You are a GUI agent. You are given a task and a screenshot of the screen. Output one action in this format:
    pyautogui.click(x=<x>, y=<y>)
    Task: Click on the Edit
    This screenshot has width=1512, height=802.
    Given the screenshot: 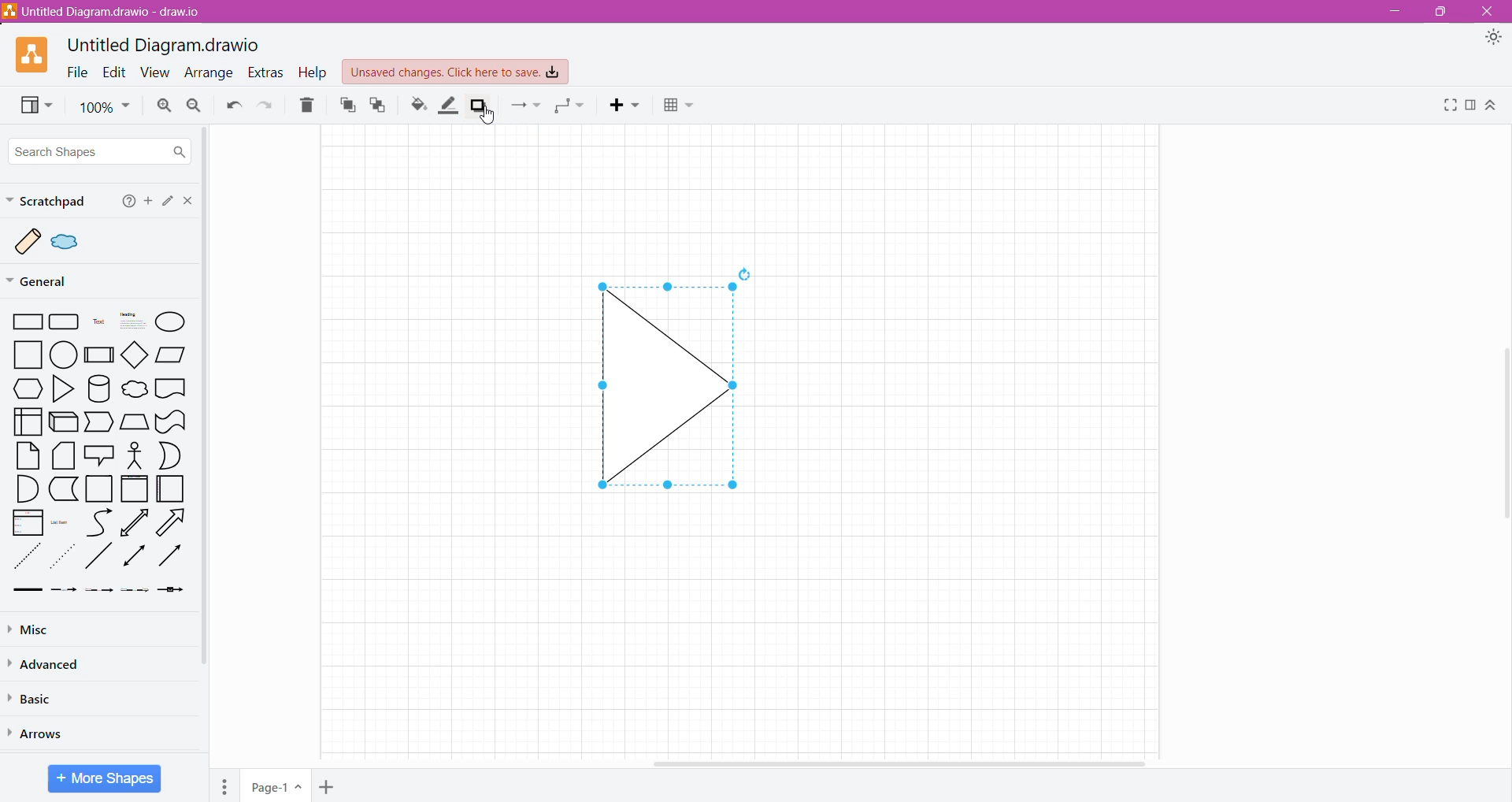 What is the action you would take?
    pyautogui.click(x=114, y=72)
    